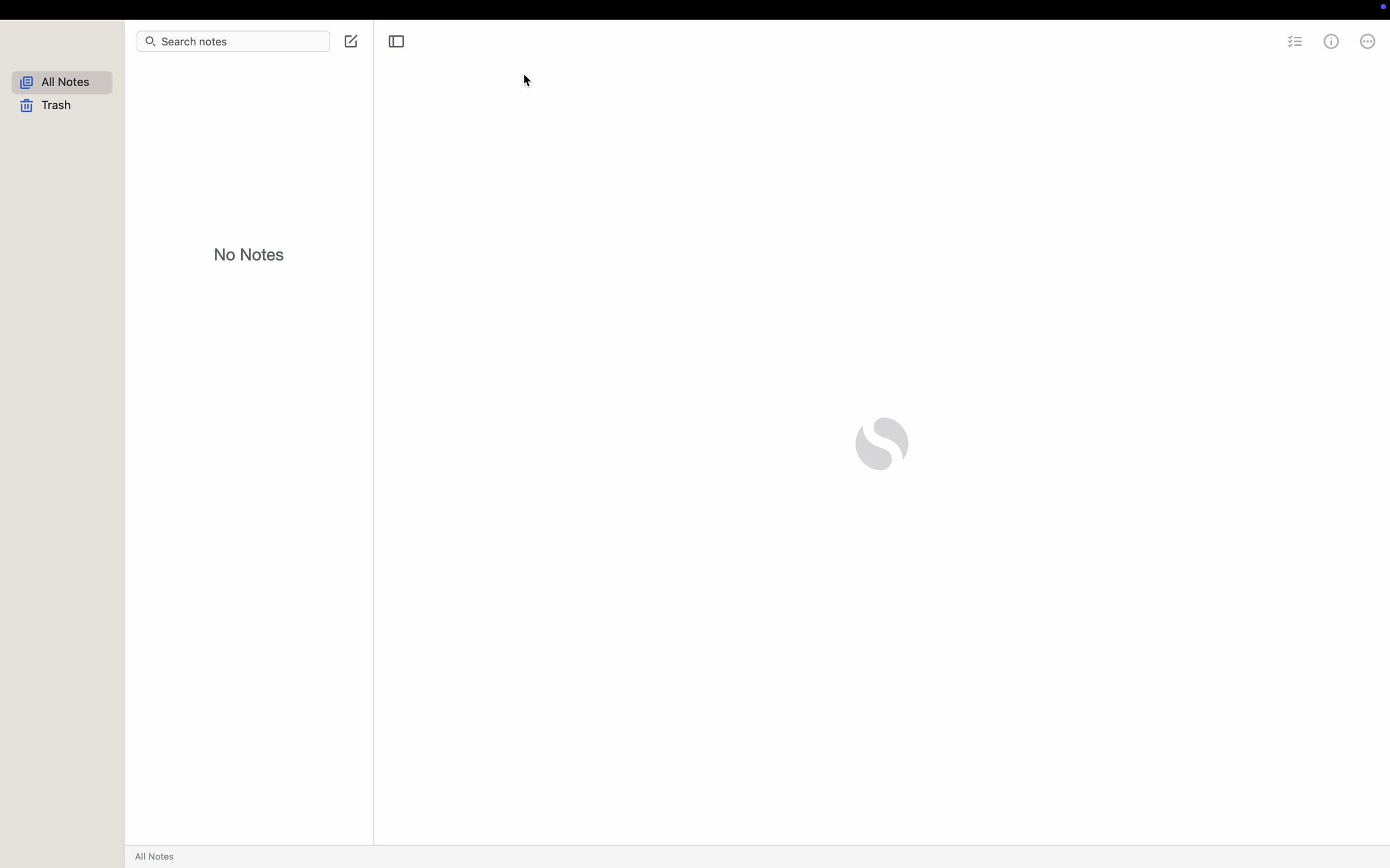 The width and height of the screenshot is (1390, 868). What do you see at coordinates (1294, 43) in the screenshot?
I see `setting` at bounding box center [1294, 43].